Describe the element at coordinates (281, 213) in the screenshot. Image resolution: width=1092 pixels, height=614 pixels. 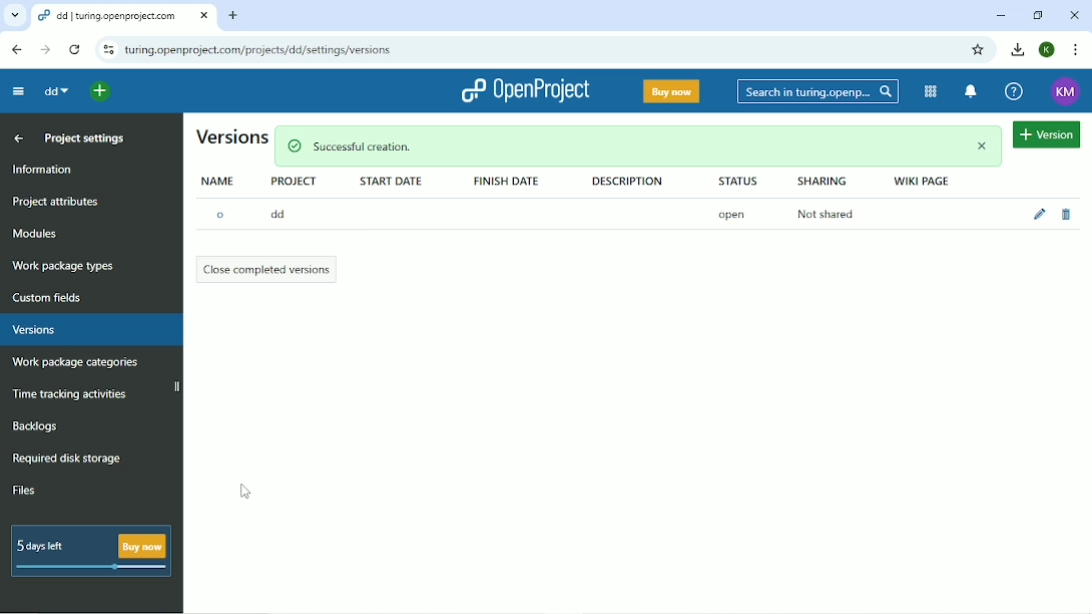
I see `dd` at that location.